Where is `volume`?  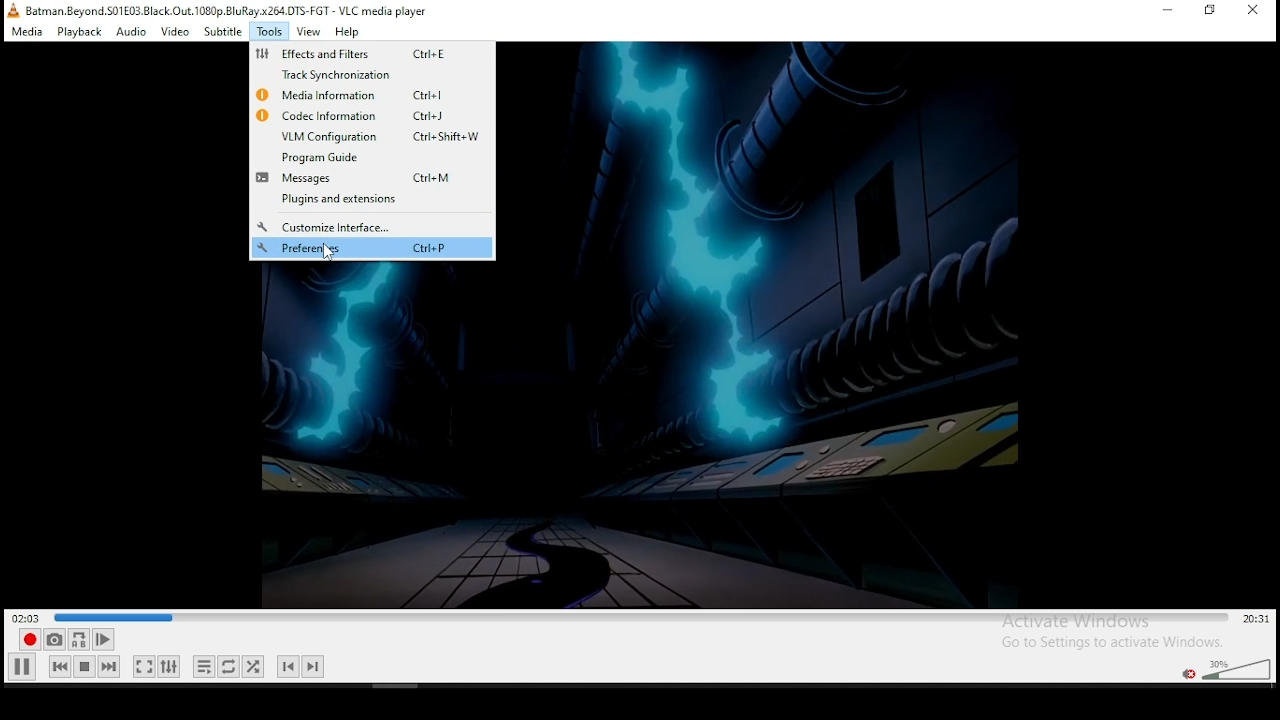 volume is located at coordinates (1235, 667).